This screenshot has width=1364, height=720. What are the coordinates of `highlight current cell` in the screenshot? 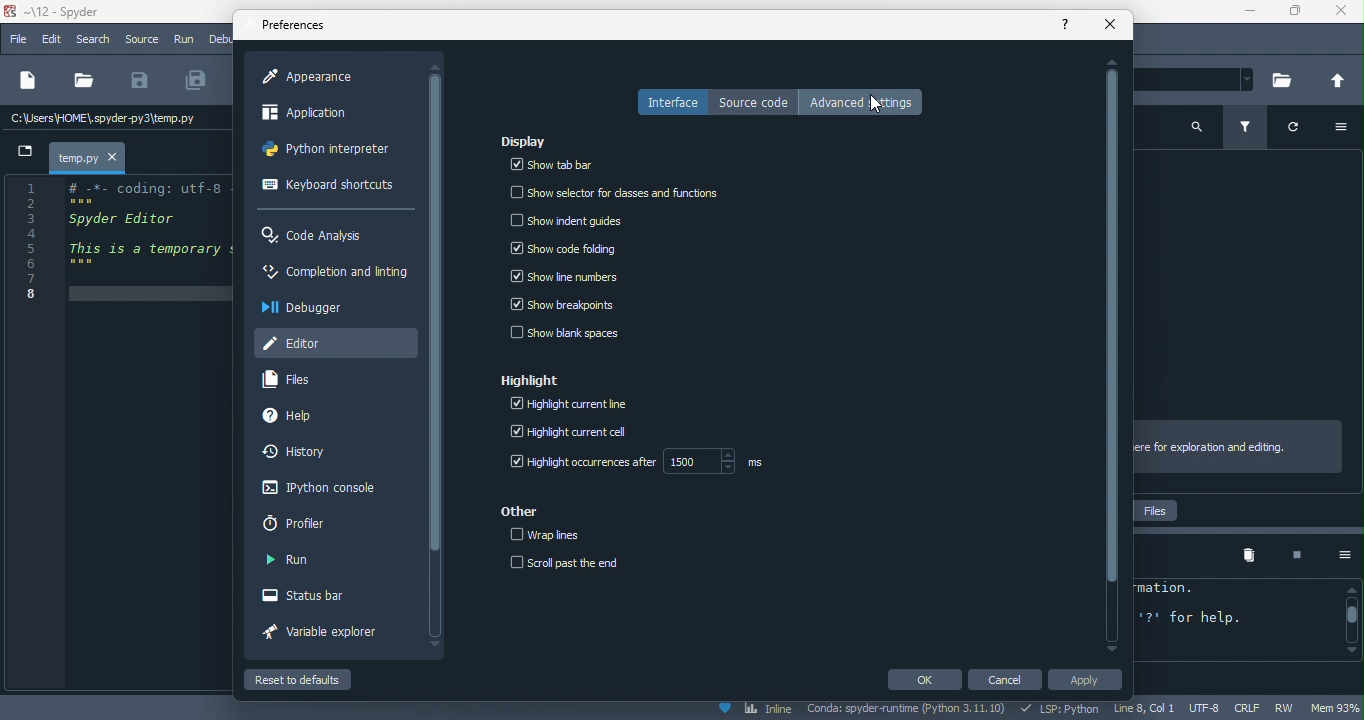 It's located at (581, 435).